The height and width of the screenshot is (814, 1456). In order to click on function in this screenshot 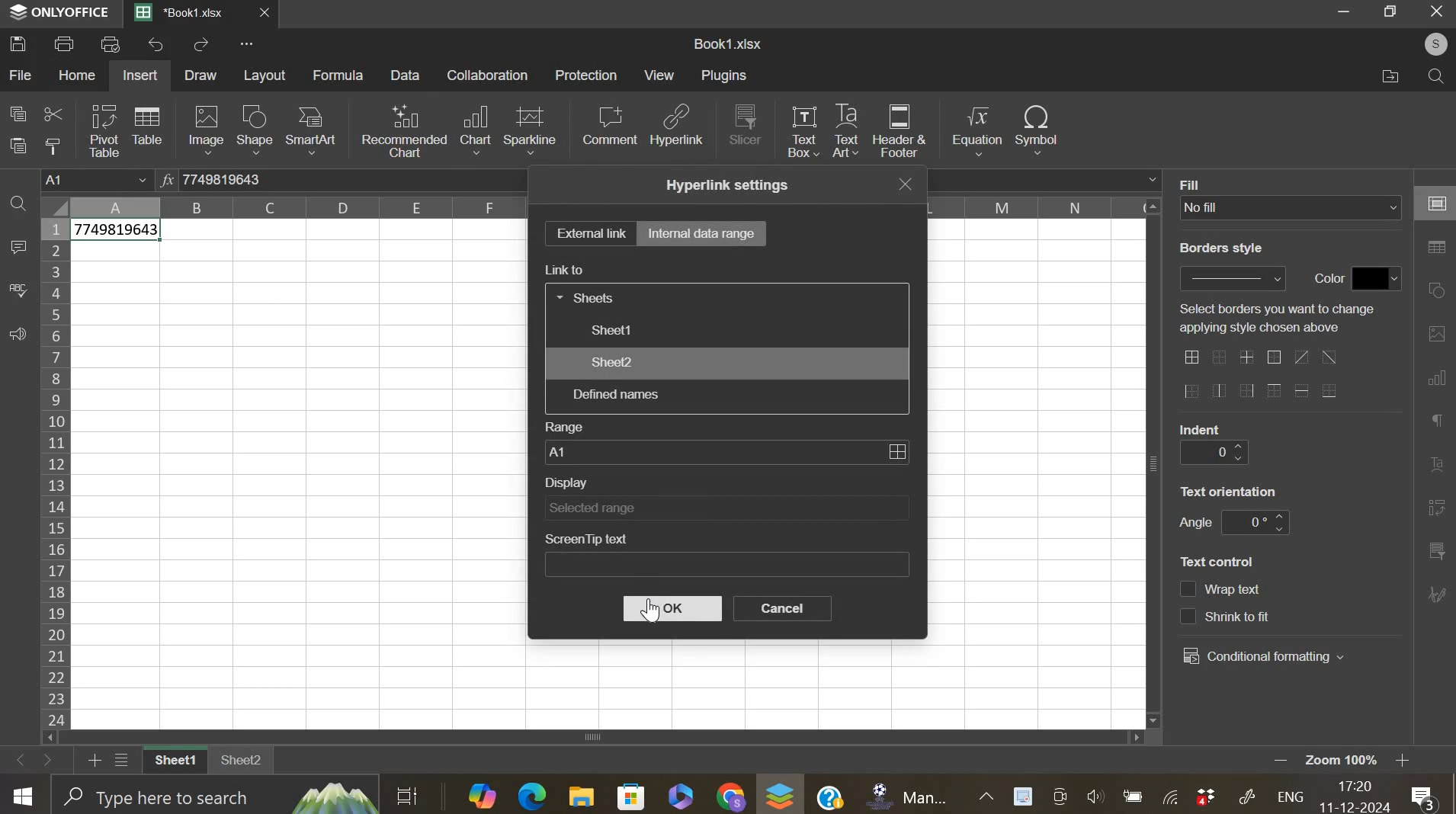, I will do `click(165, 178)`.